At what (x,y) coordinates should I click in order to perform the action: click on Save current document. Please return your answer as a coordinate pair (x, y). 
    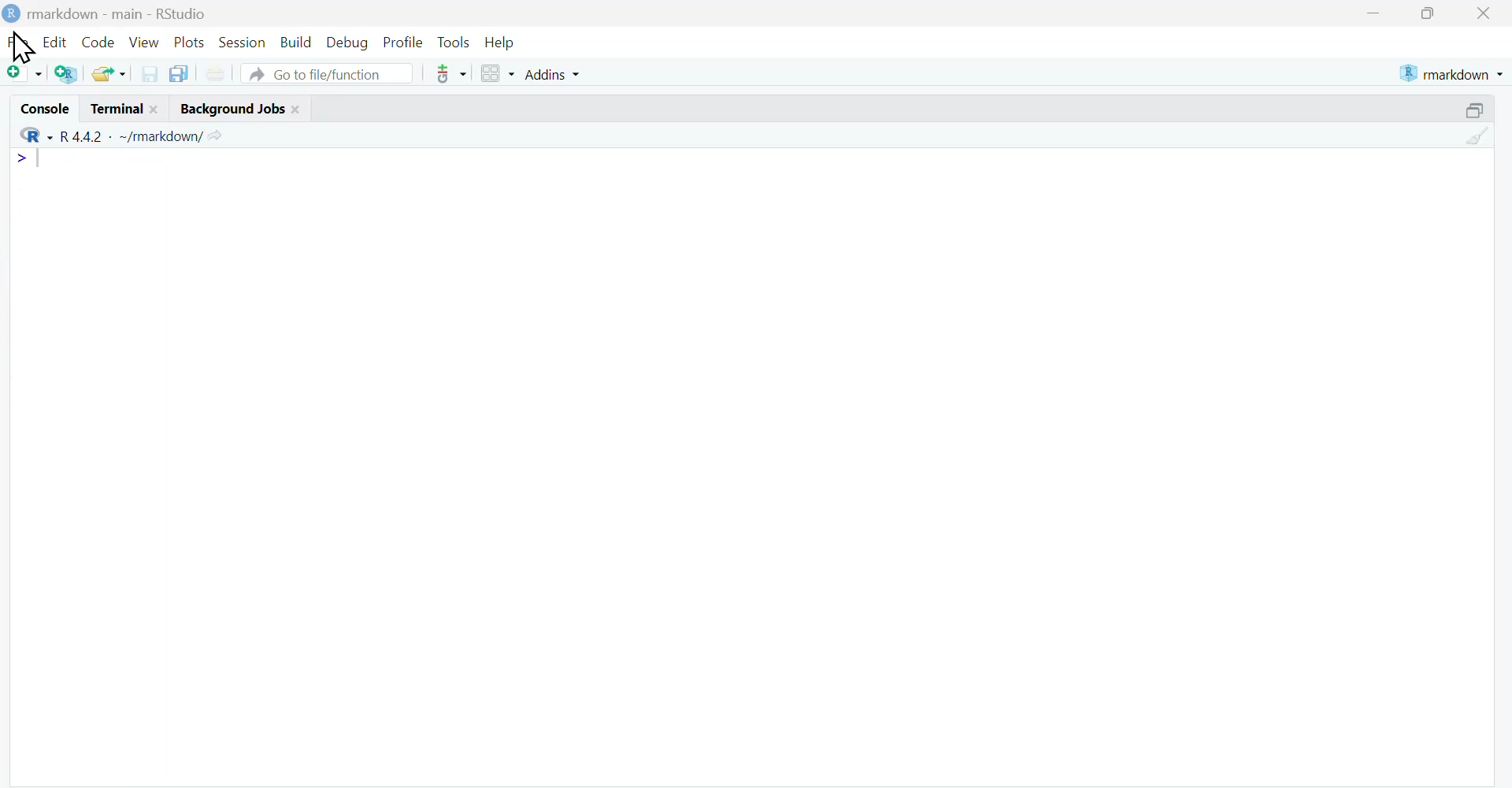
    Looking at the image, I should click on (149, 73).